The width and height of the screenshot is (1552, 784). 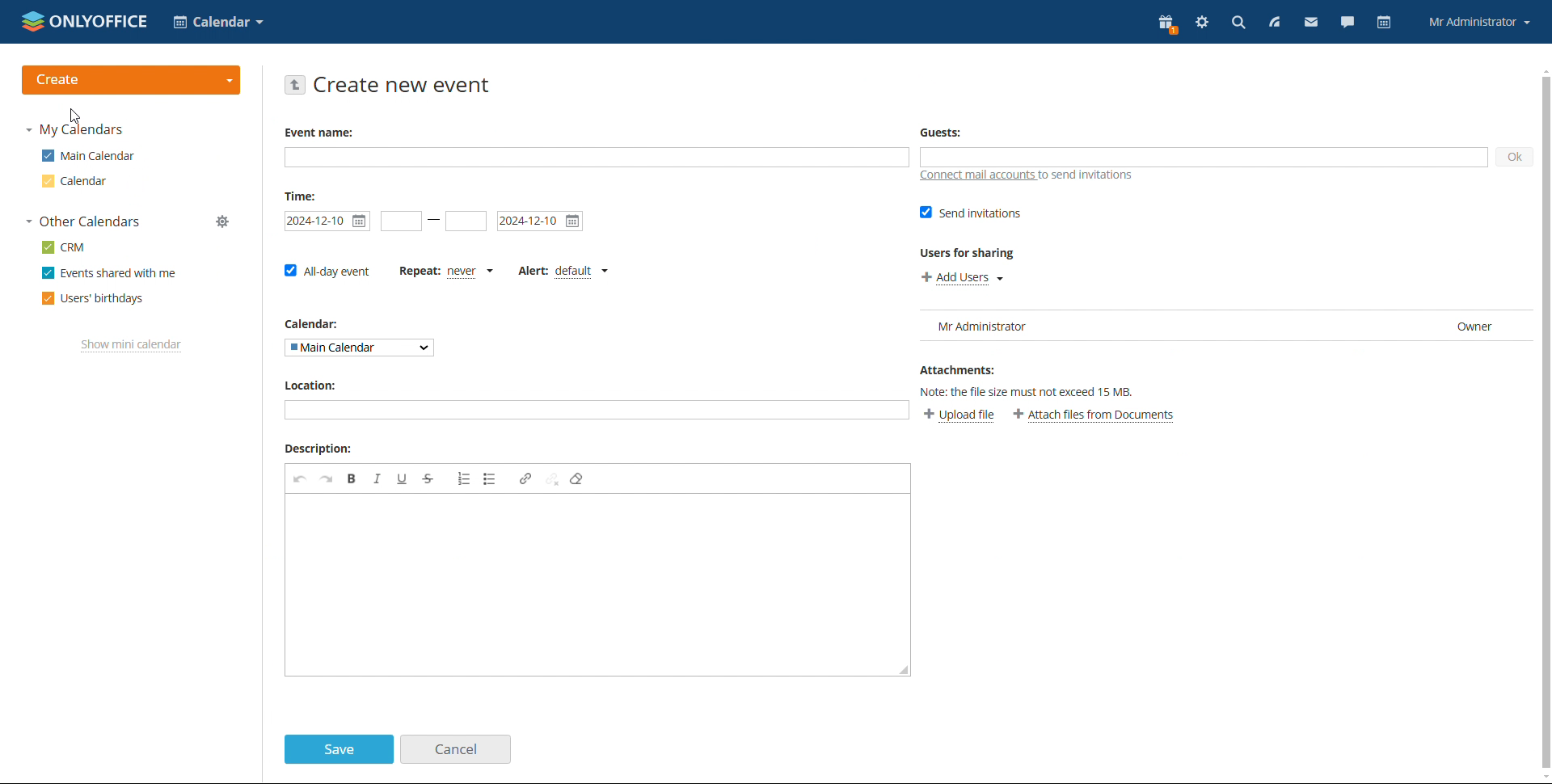 I want to click on my calendar, so click(x=82, y=131).